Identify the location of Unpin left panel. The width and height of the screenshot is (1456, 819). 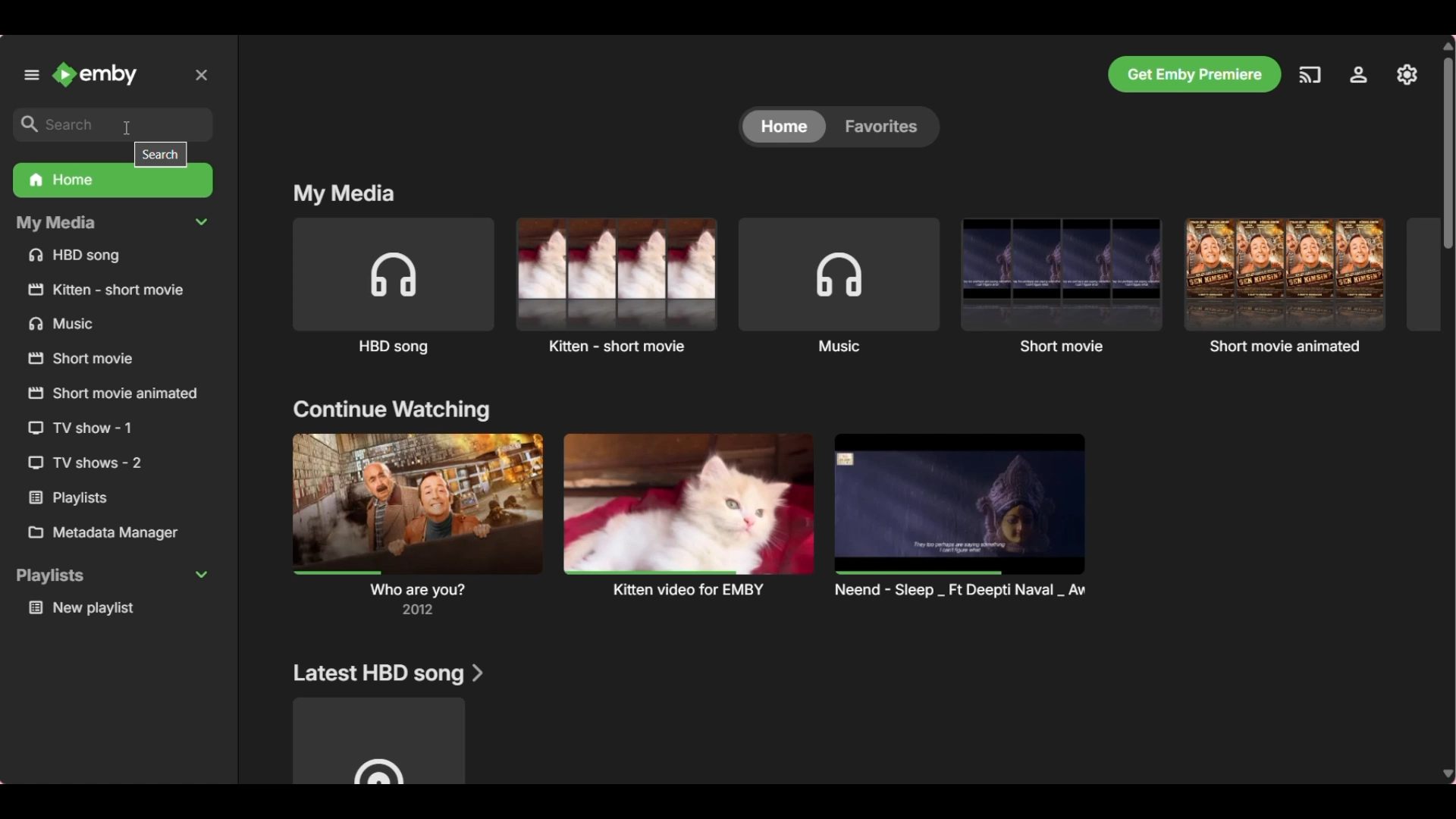
(31, 74).